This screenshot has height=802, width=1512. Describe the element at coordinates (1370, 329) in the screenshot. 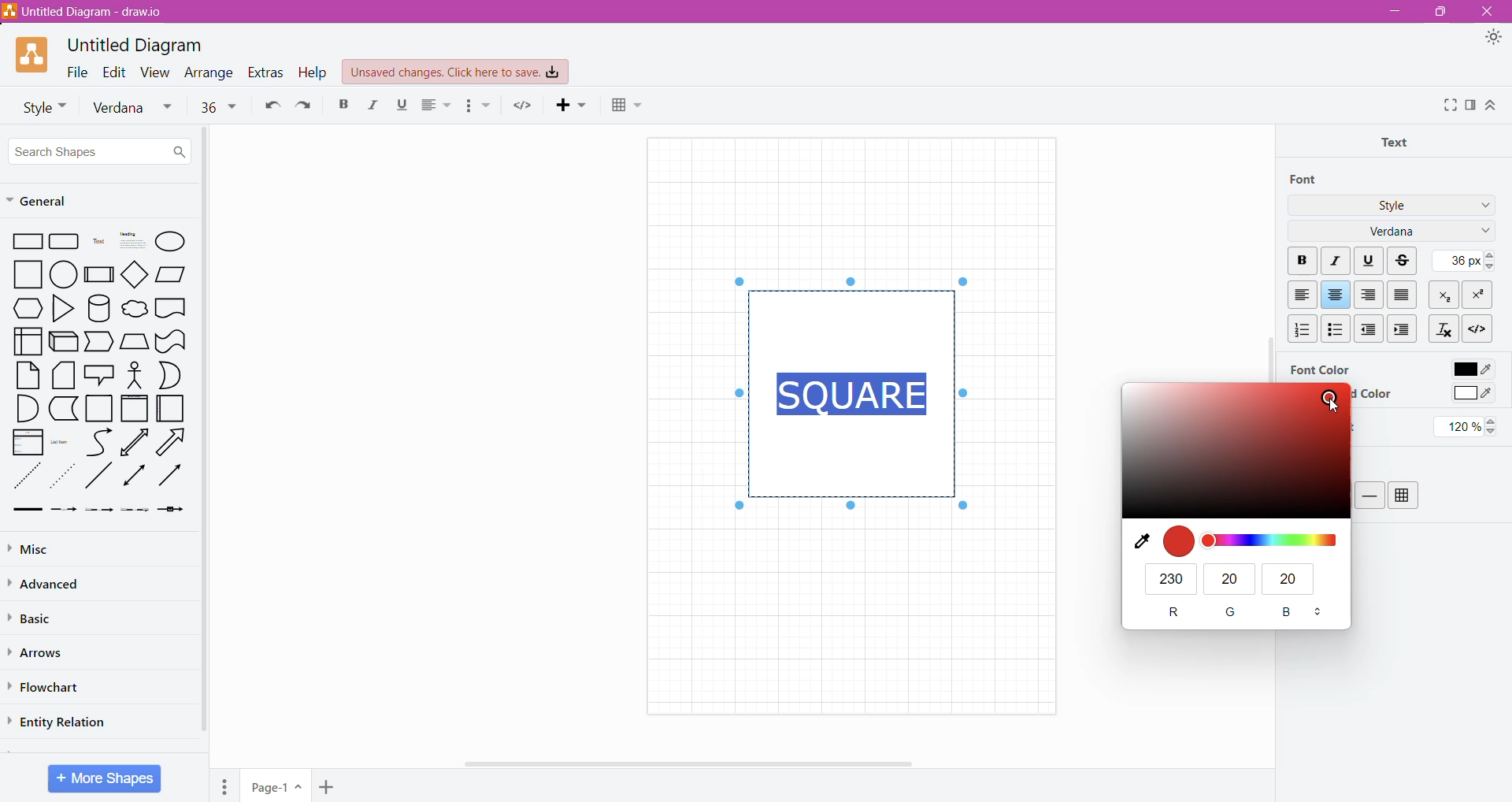

I see `Decrease Indent` at that location.